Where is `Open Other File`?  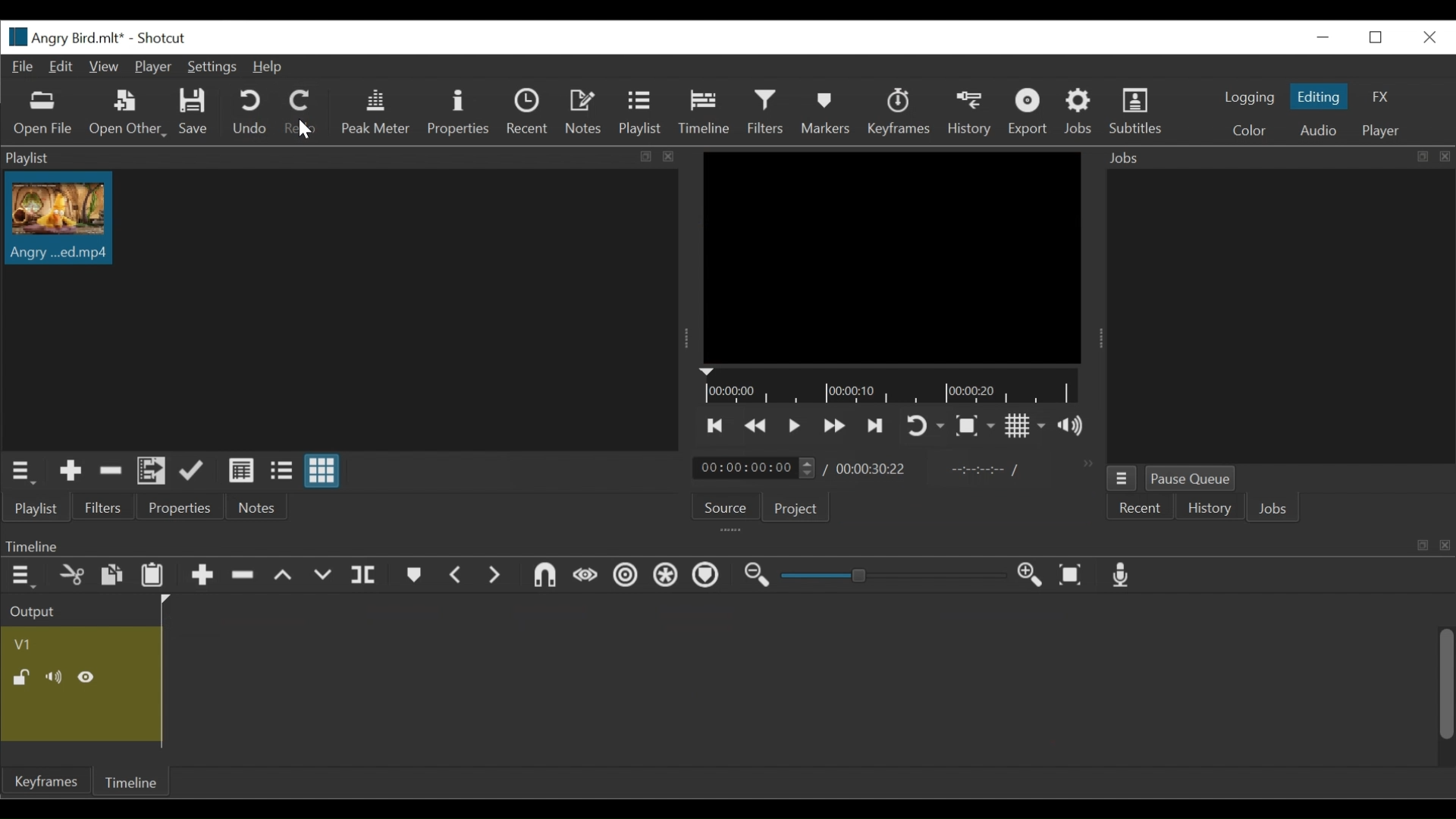 Open Other File is located at coordinates (125, 113).